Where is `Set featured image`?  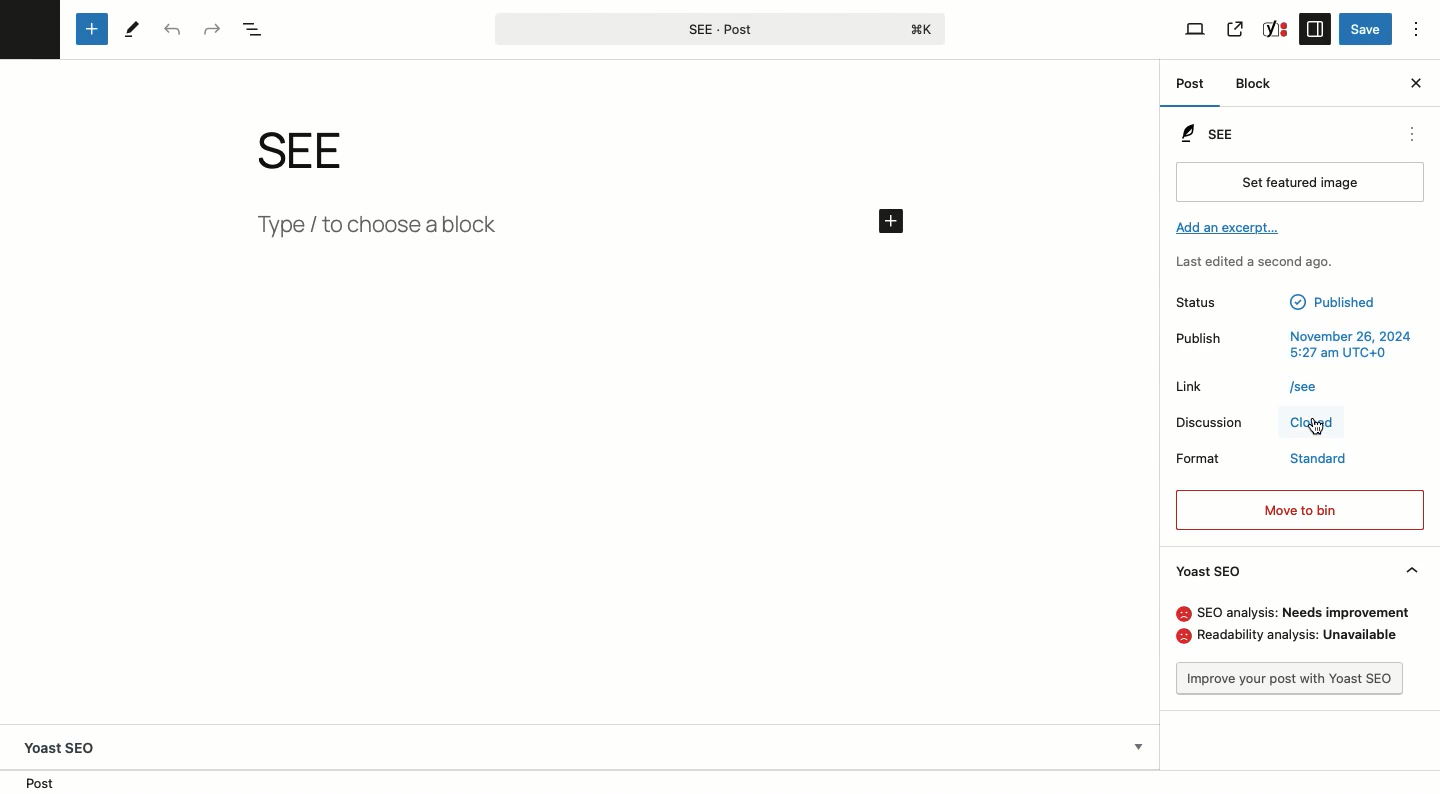 Set featured image is located at coordinates (1299, 184).